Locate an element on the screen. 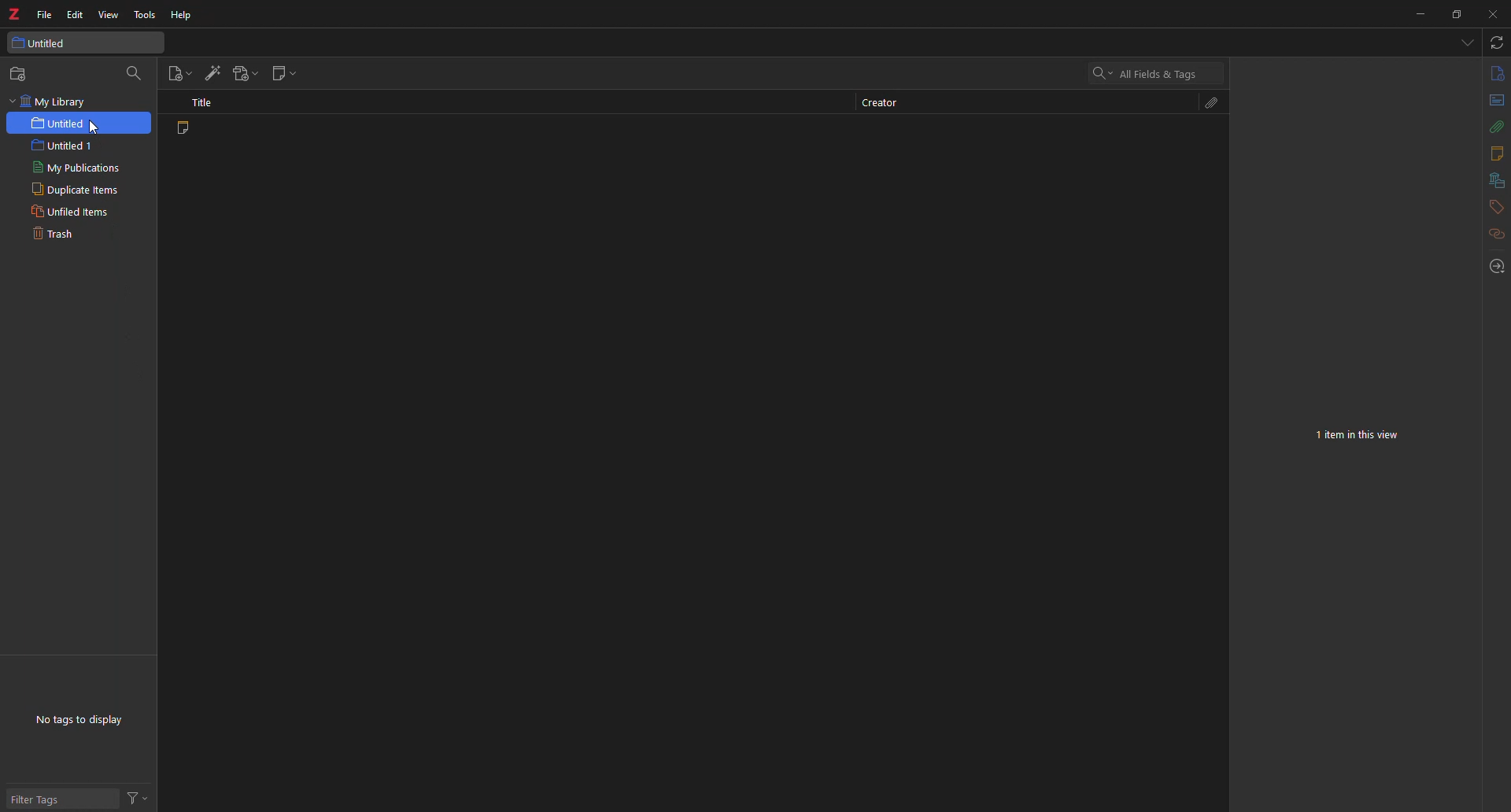 This screenshot has width=1511, height=812. view is located at coordinates (109, 15).